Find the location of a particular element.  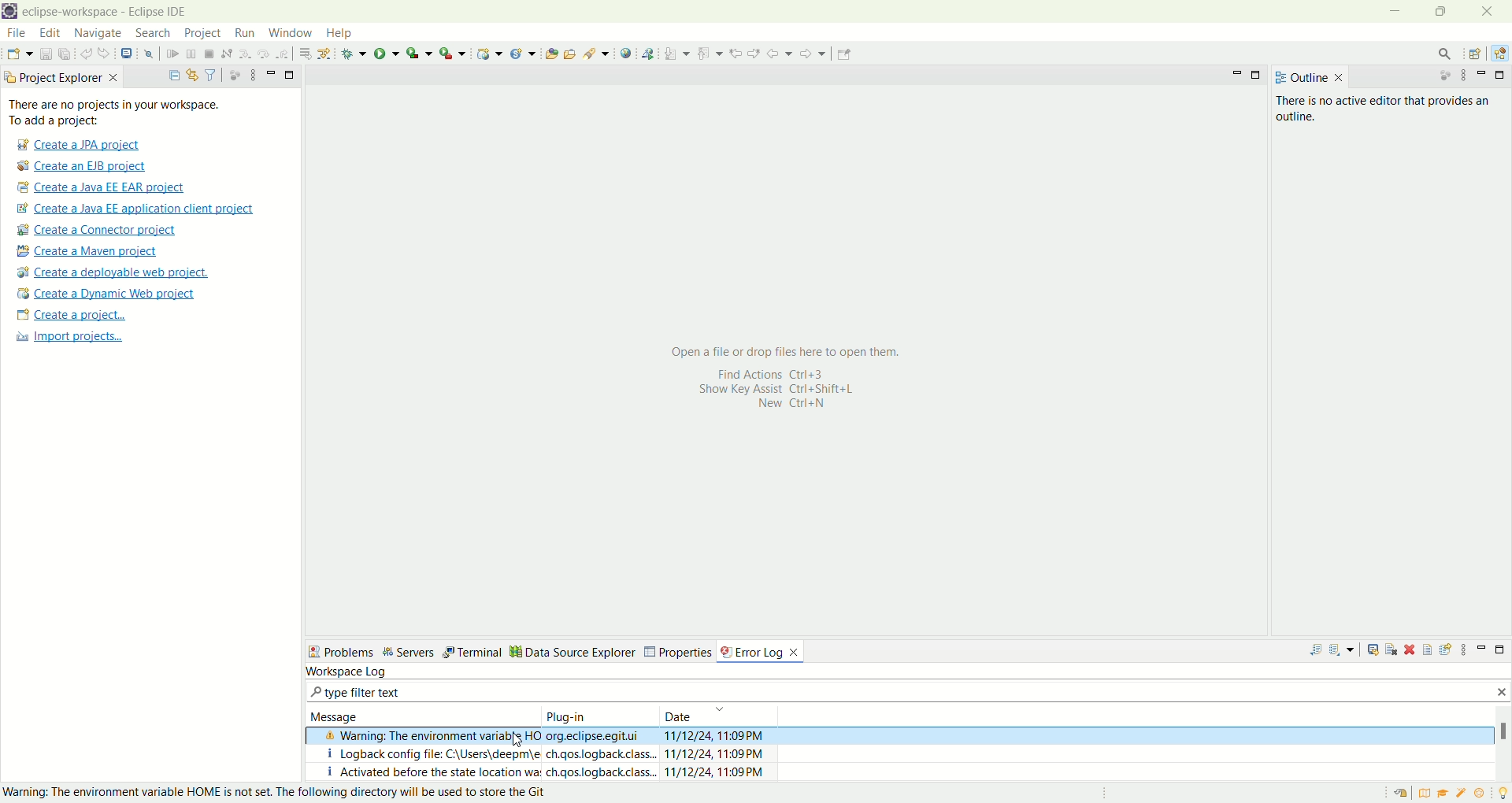

maximize is located at coordinates (290, 73).